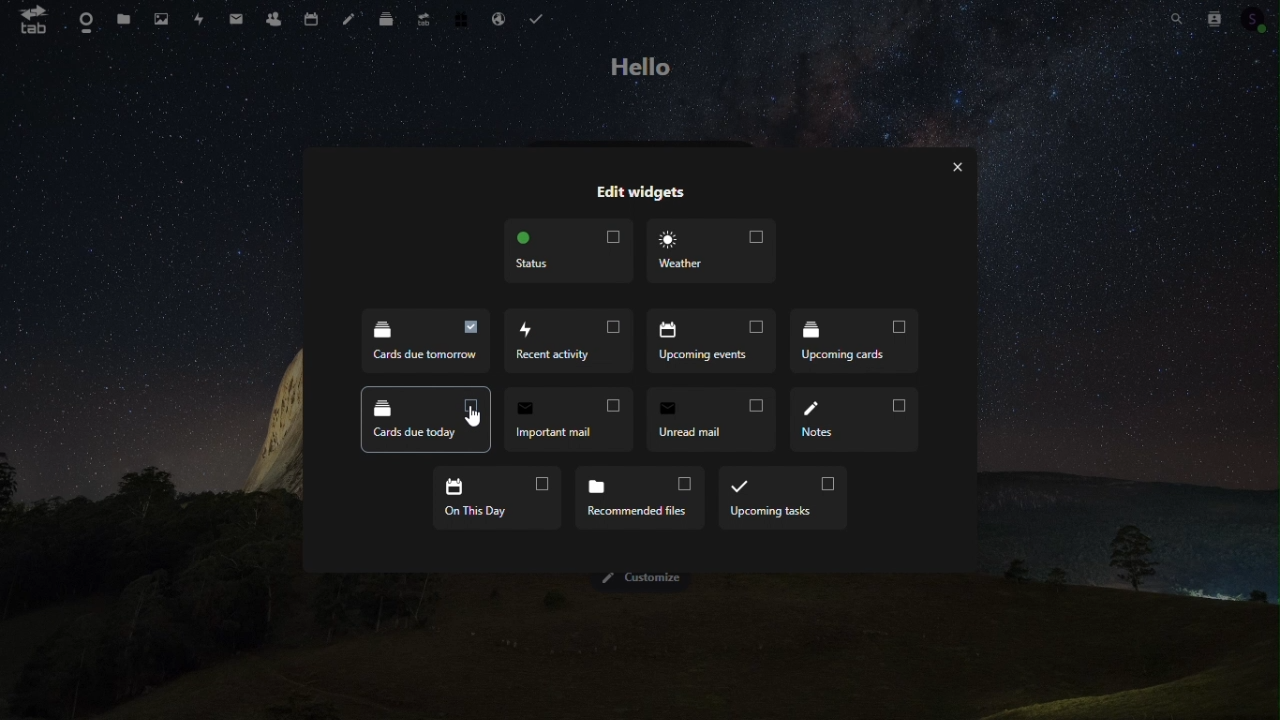  Describe the element at coordinates (27, 21) in the screenshot. I see `tab` at that location.